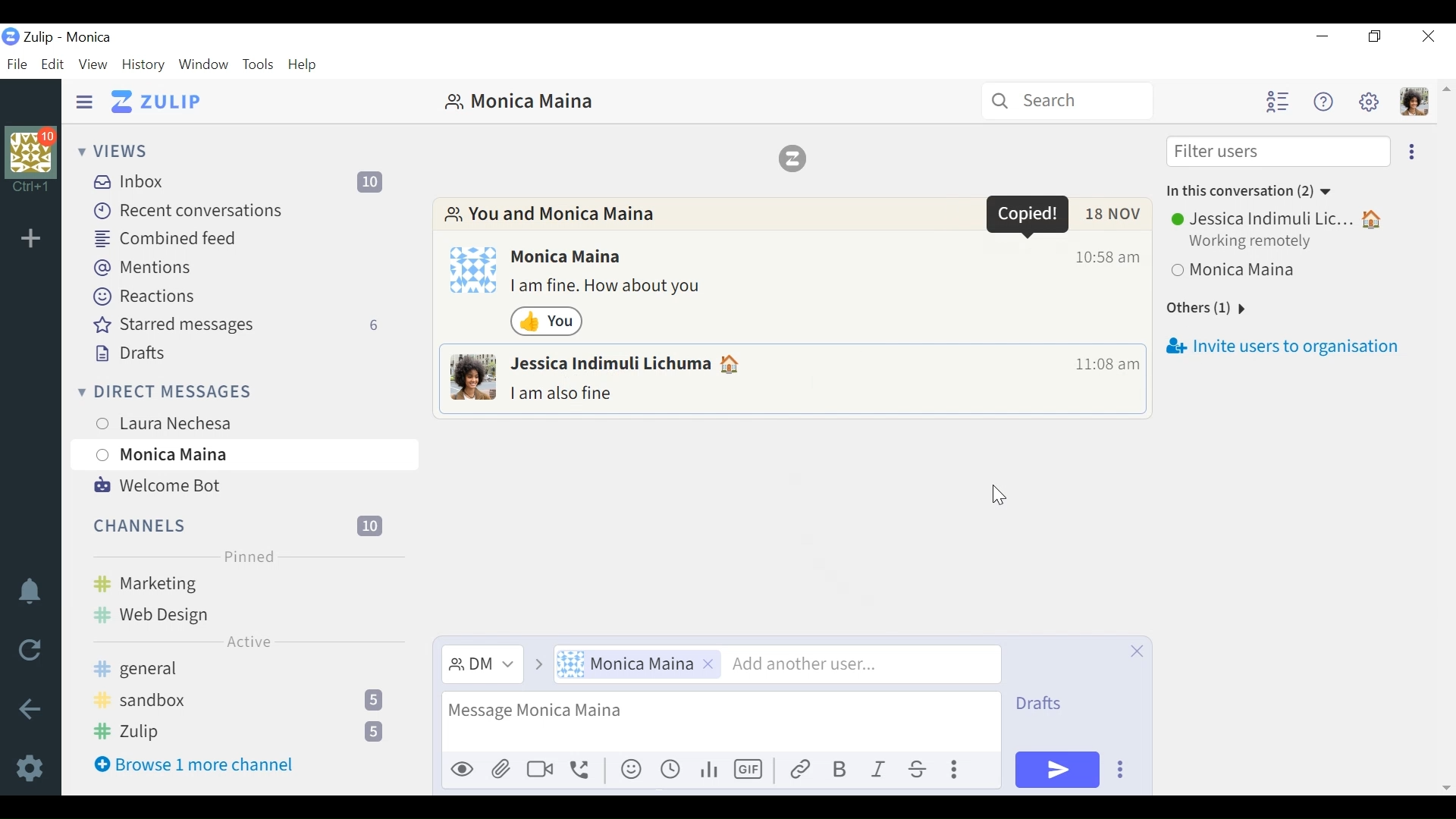 The height and width of the screenshot is (819, 1456). Describe the element at coordinates (162, 237) in the screenshot. I see `Combined feed` at that location.